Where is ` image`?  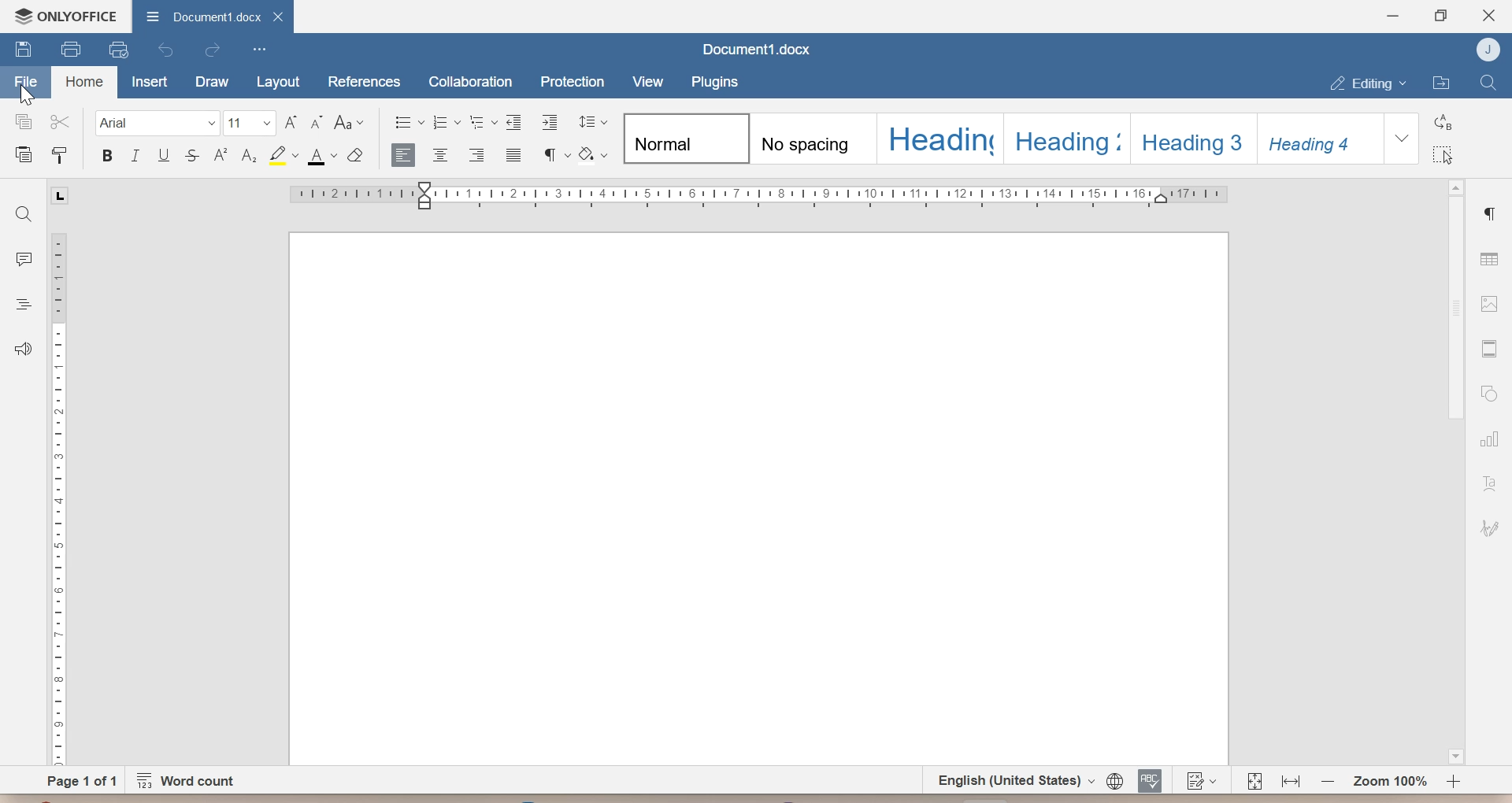
 image is located at coordinates (1489, 303).